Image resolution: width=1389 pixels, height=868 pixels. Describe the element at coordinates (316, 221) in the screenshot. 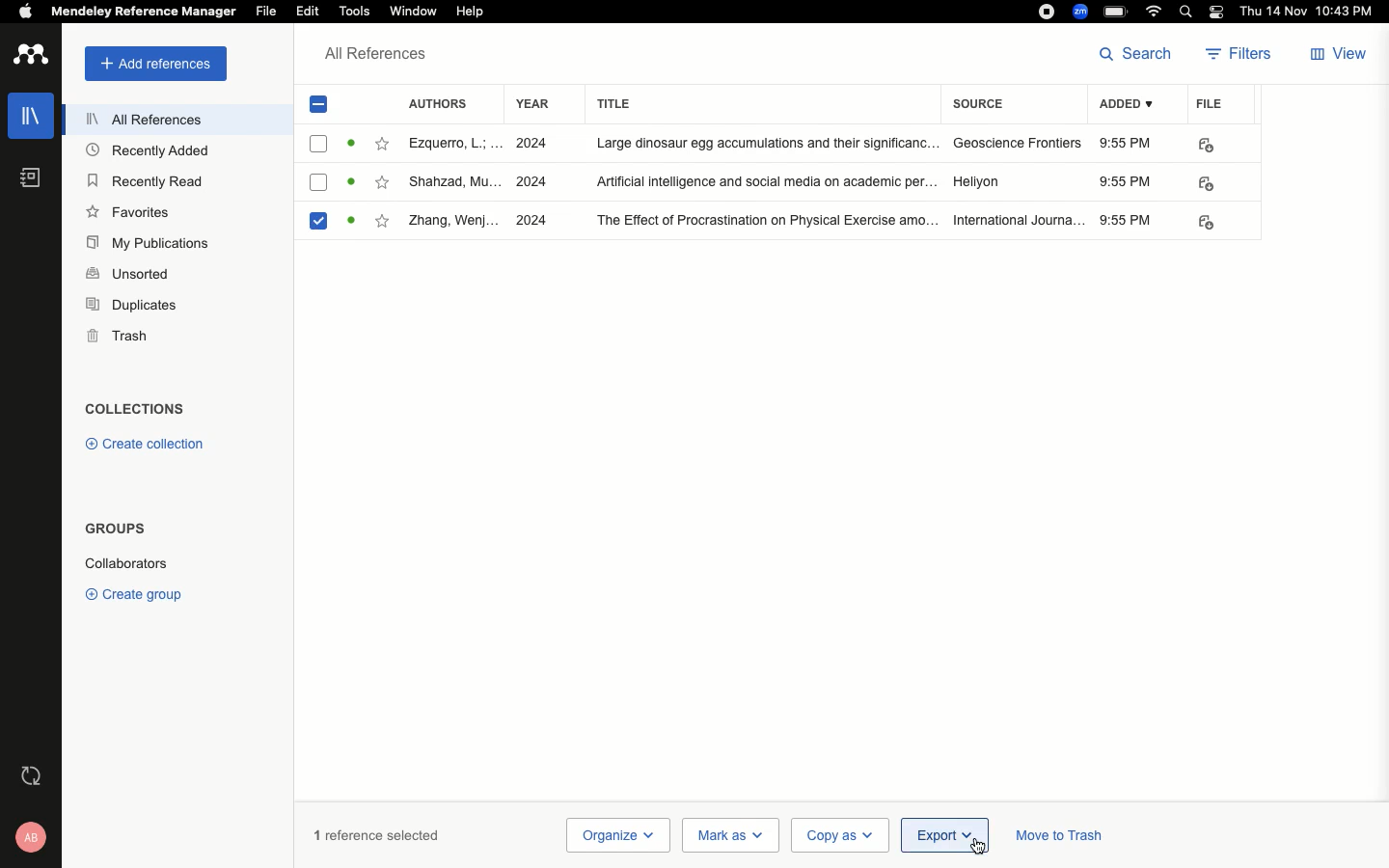

I see `Selected citation` at that location.